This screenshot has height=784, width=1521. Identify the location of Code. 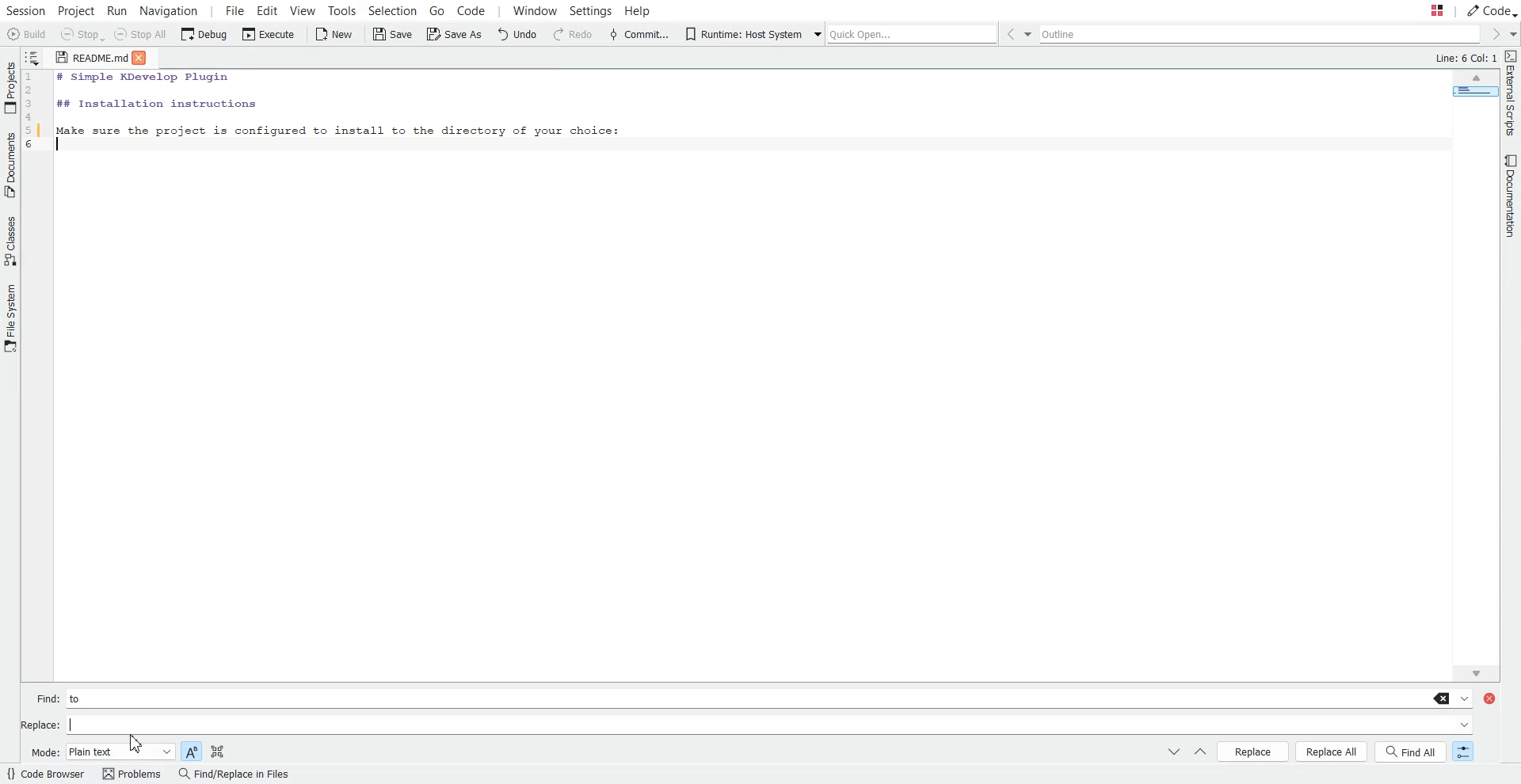
(1491, 10).